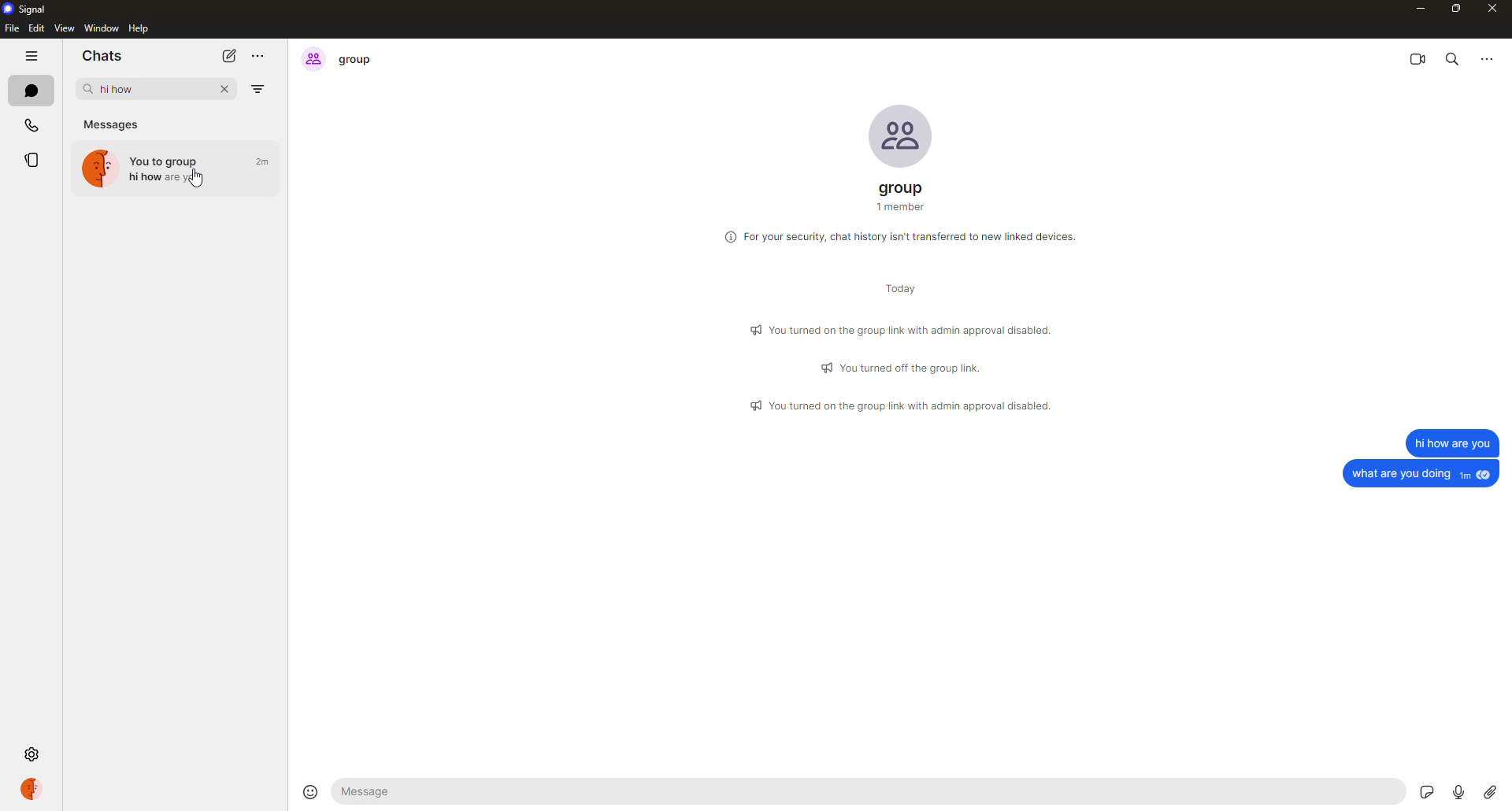  Describe the element at coordinates (228, 91) in the screenshot. I see `close` at that location.